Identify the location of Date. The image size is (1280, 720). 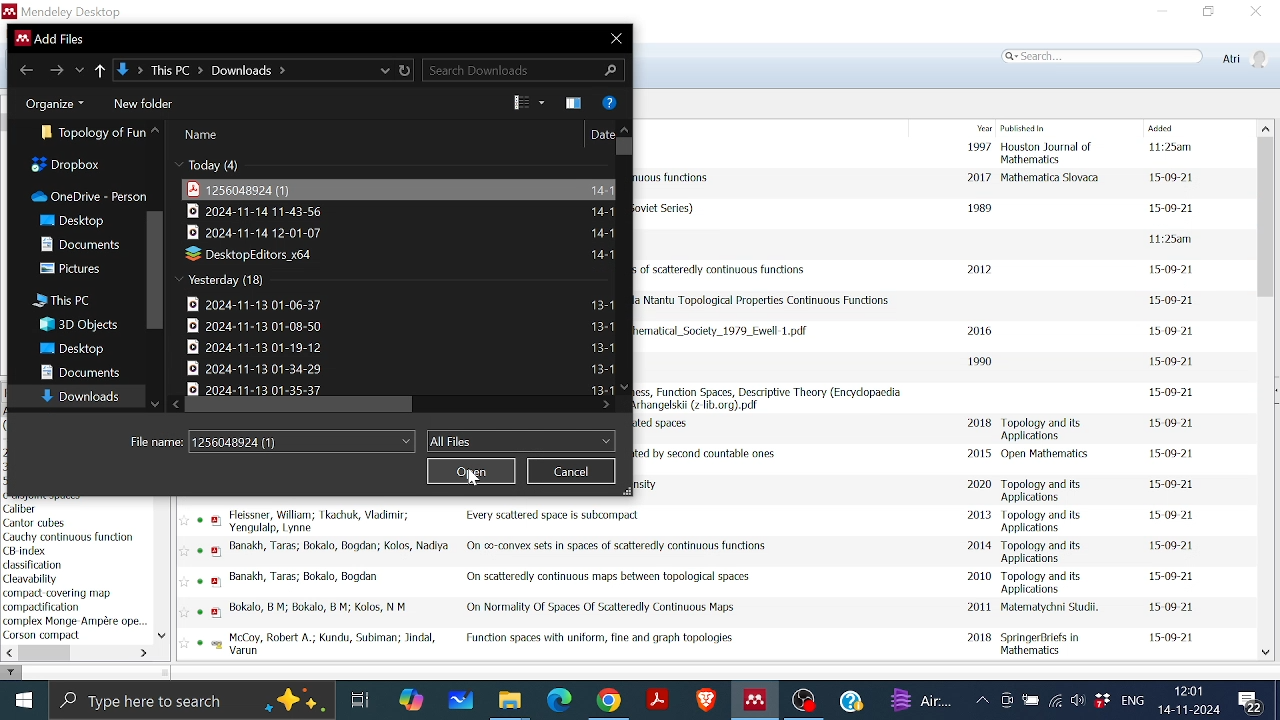
(600, 388).